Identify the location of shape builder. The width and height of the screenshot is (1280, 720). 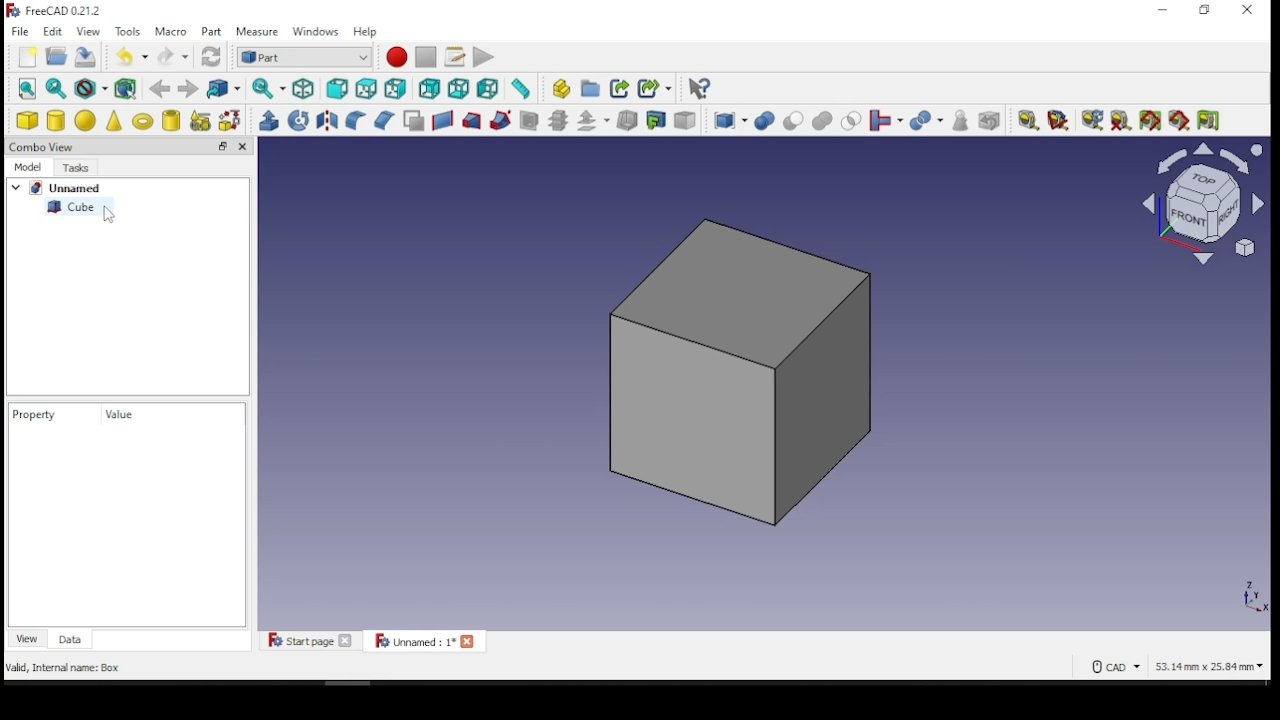
(231, 120).